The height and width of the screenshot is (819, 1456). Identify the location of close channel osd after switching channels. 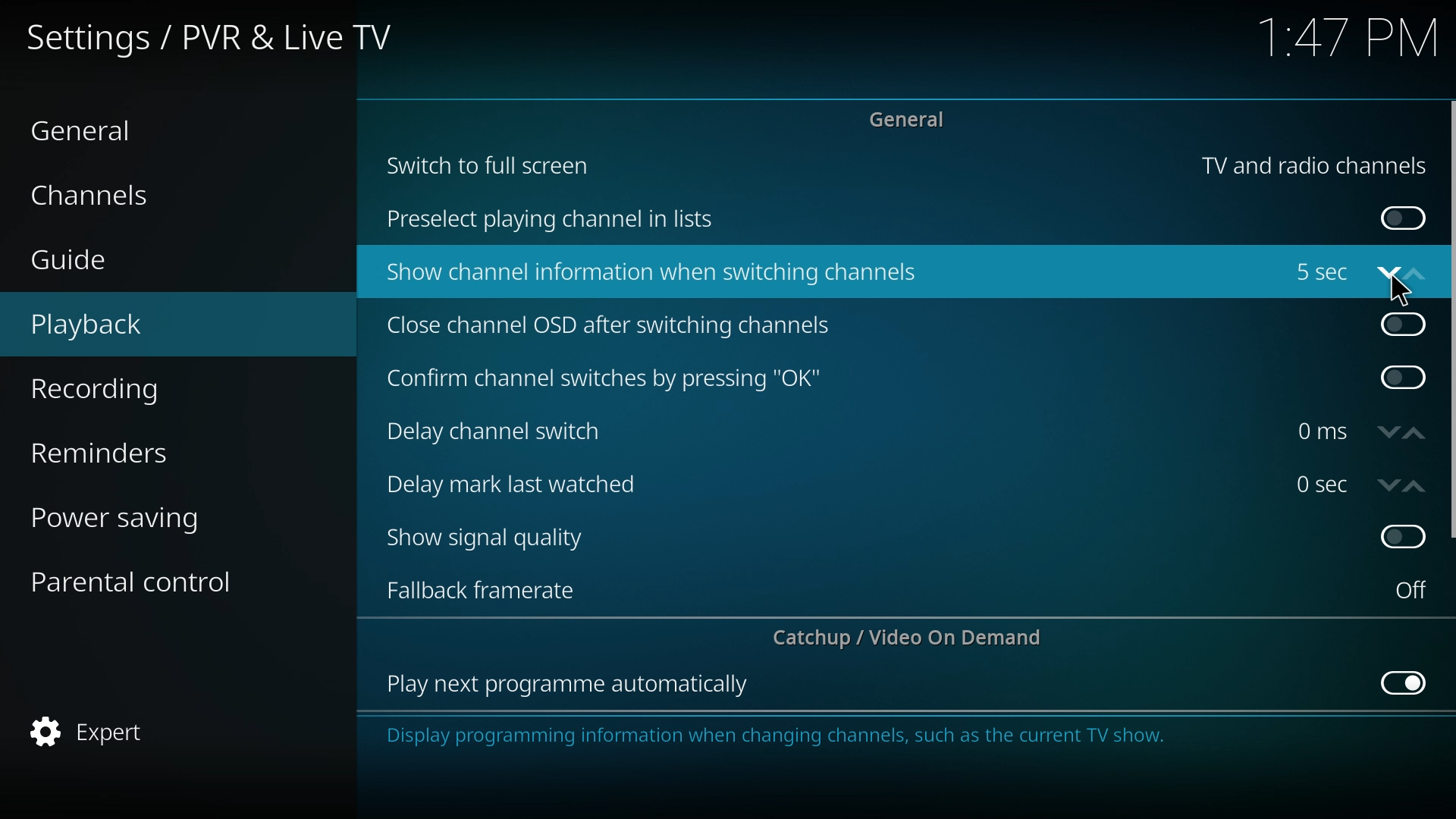
(613, 327).